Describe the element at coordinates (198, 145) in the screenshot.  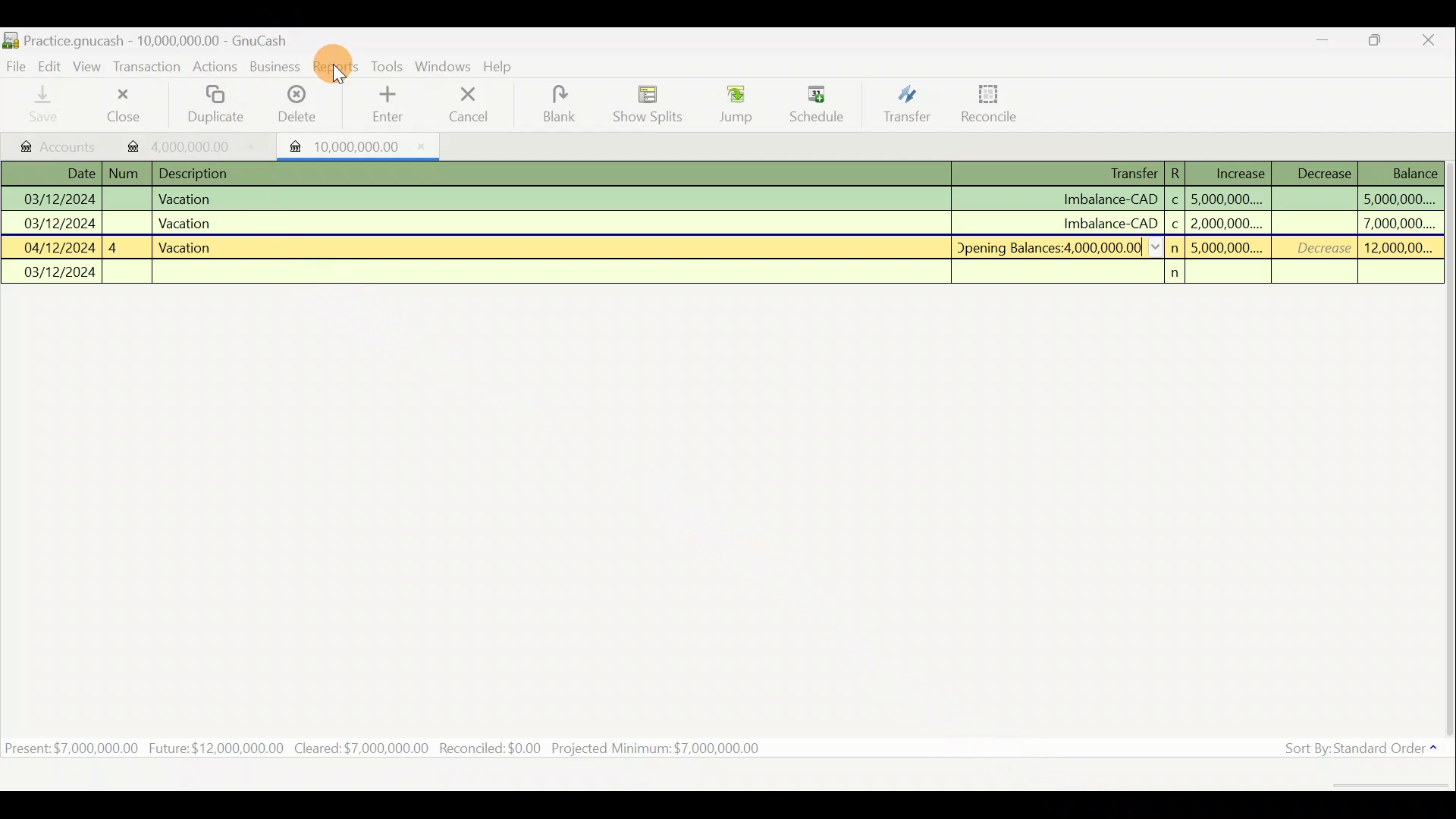
I see `4,000,000.00` at that location.